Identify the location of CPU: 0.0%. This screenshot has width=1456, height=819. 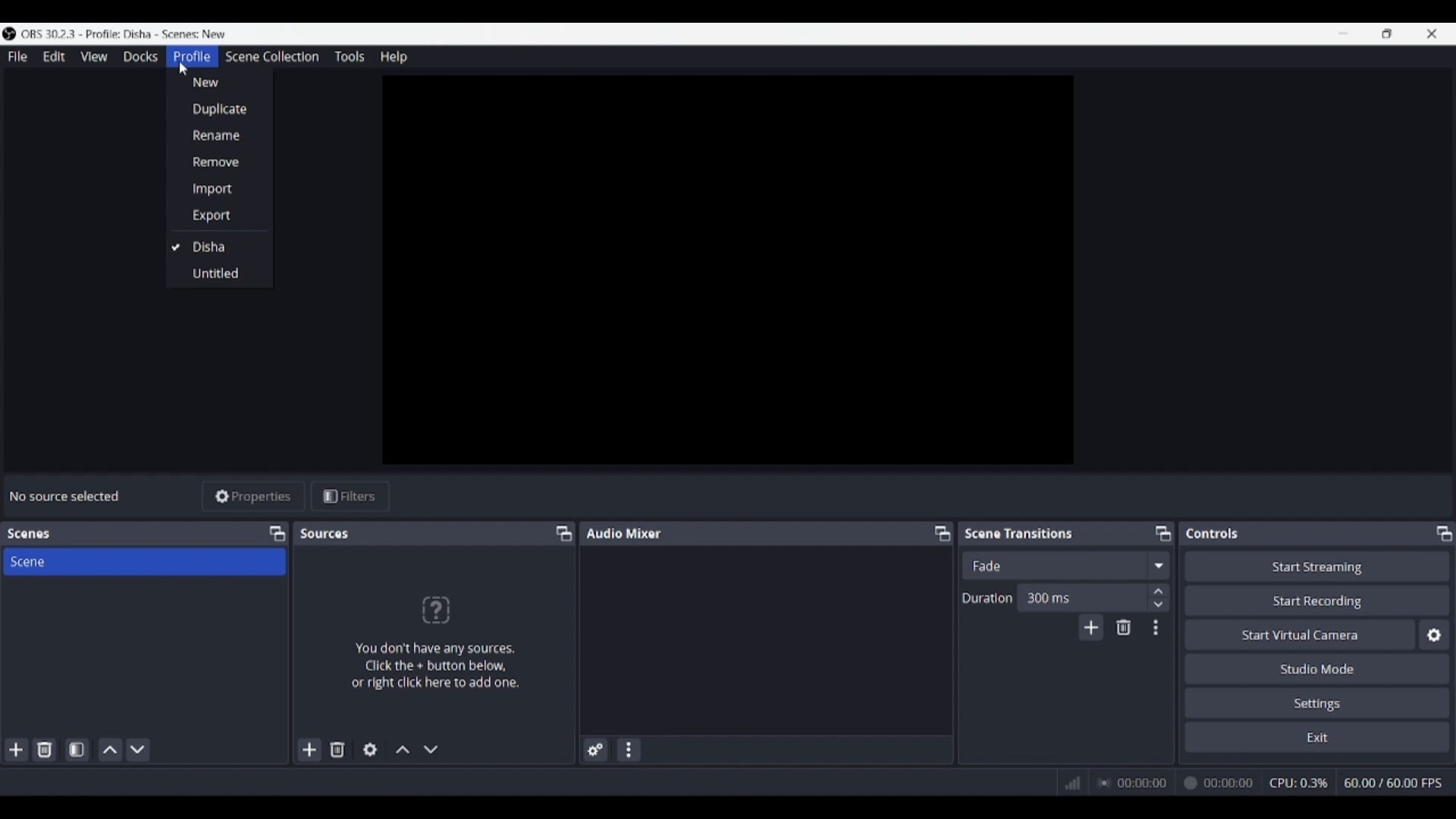
(1303, 784).